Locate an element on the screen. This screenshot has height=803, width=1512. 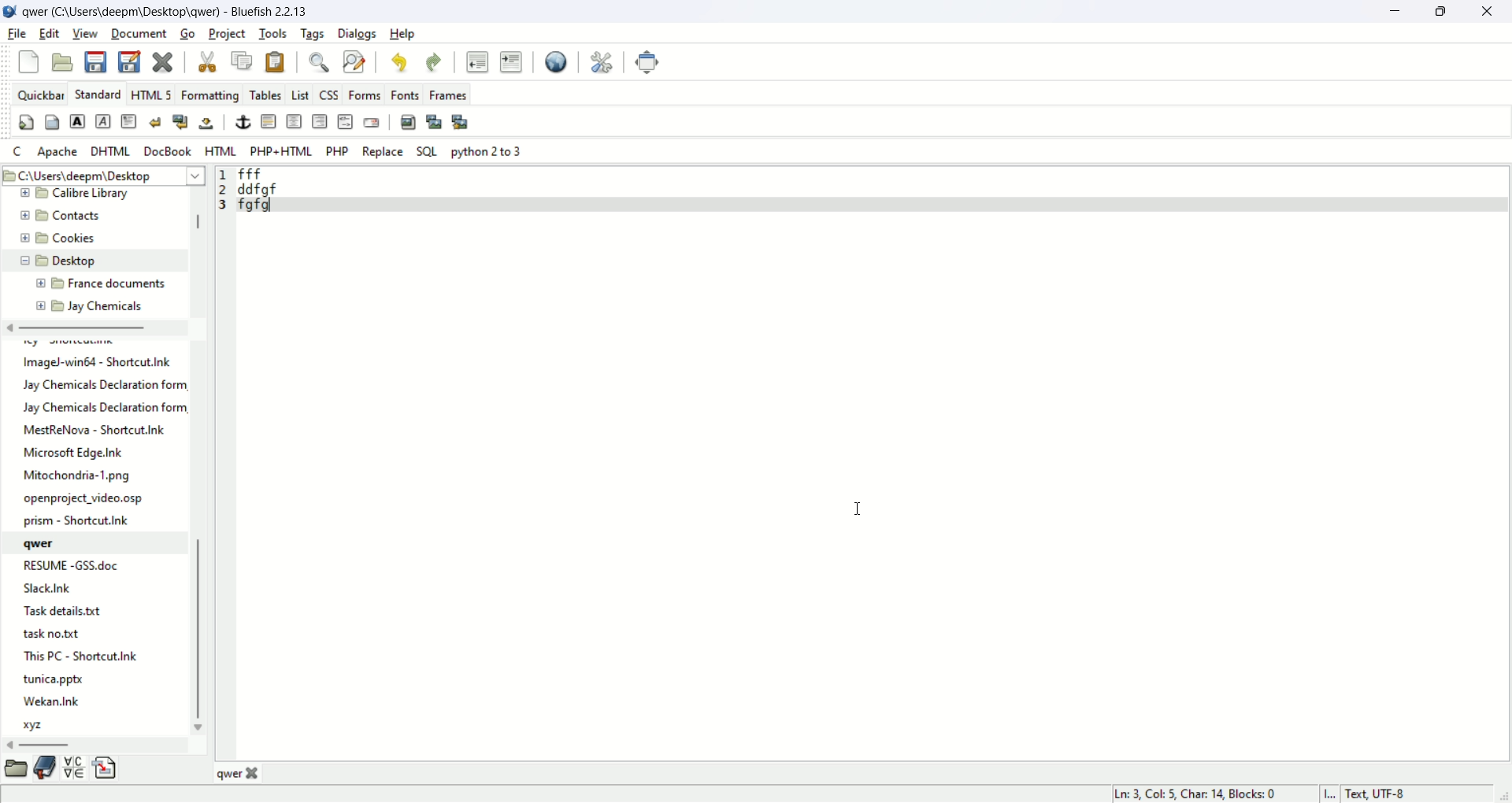
strong is located at coordinates (77, 121).